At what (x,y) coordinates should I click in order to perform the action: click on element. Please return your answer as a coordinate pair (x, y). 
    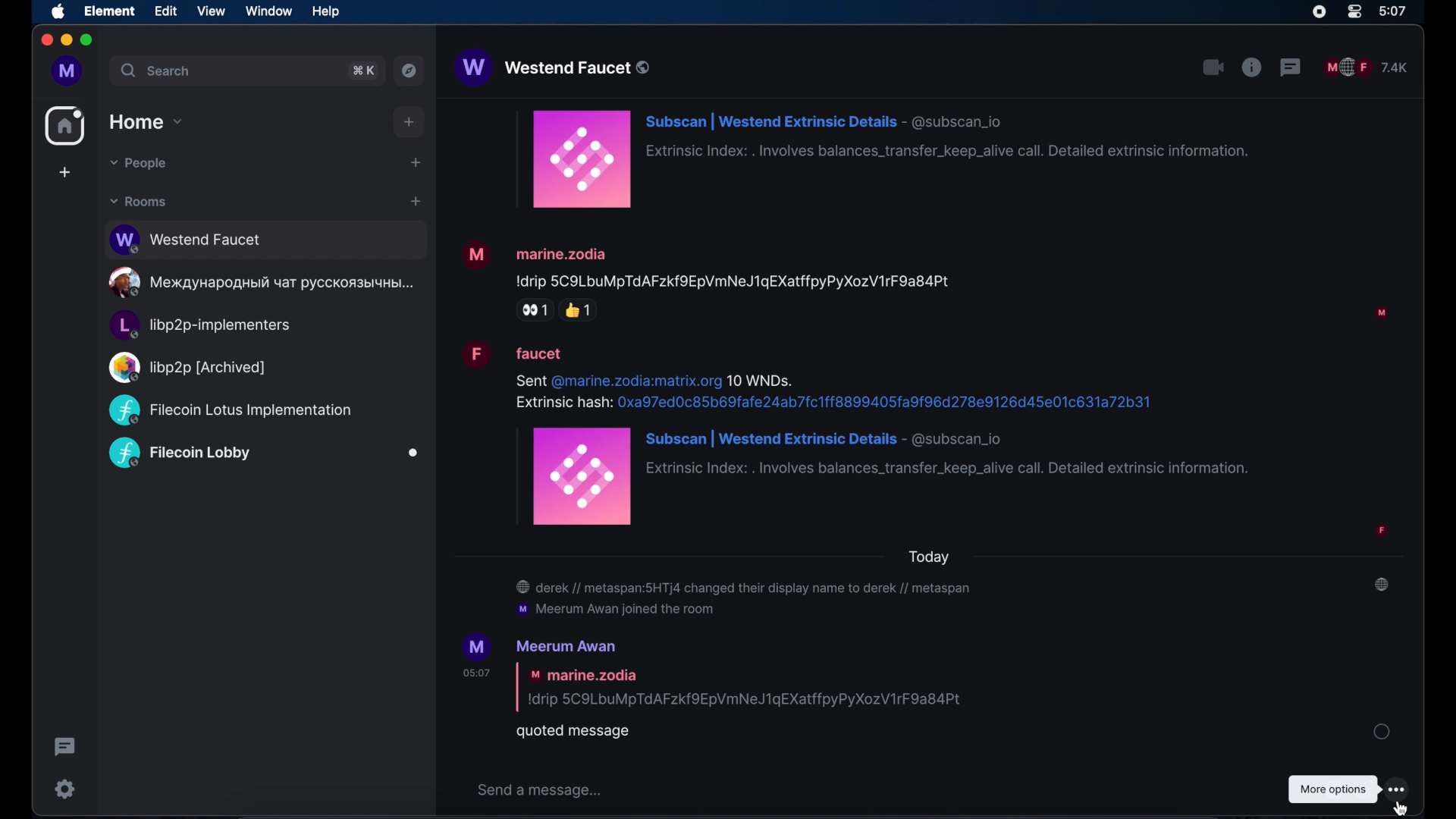
    Looking at the image, I should click on (111, 11).